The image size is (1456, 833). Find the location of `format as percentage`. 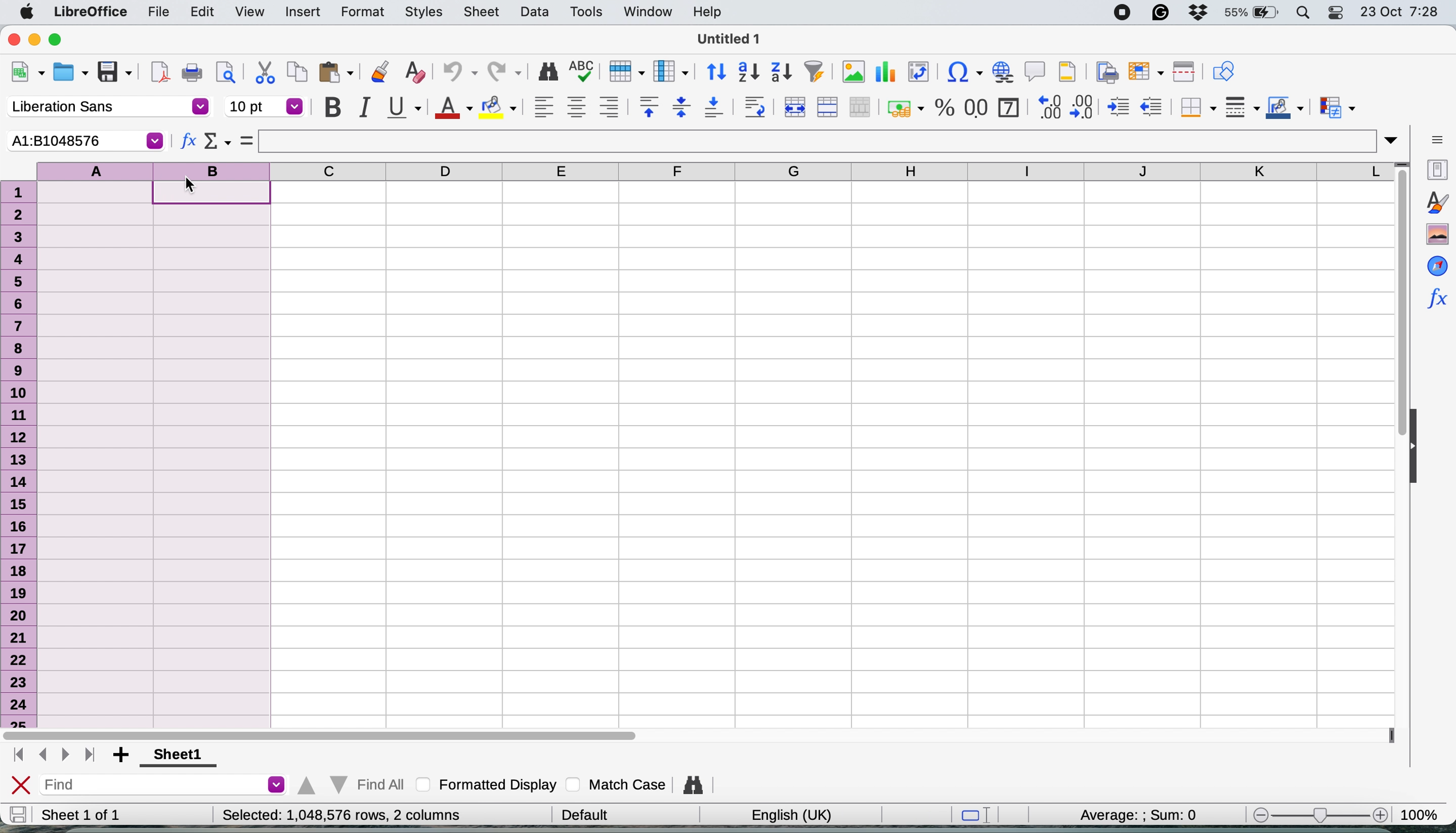

format as percentage is located at coordinates (941, 107).